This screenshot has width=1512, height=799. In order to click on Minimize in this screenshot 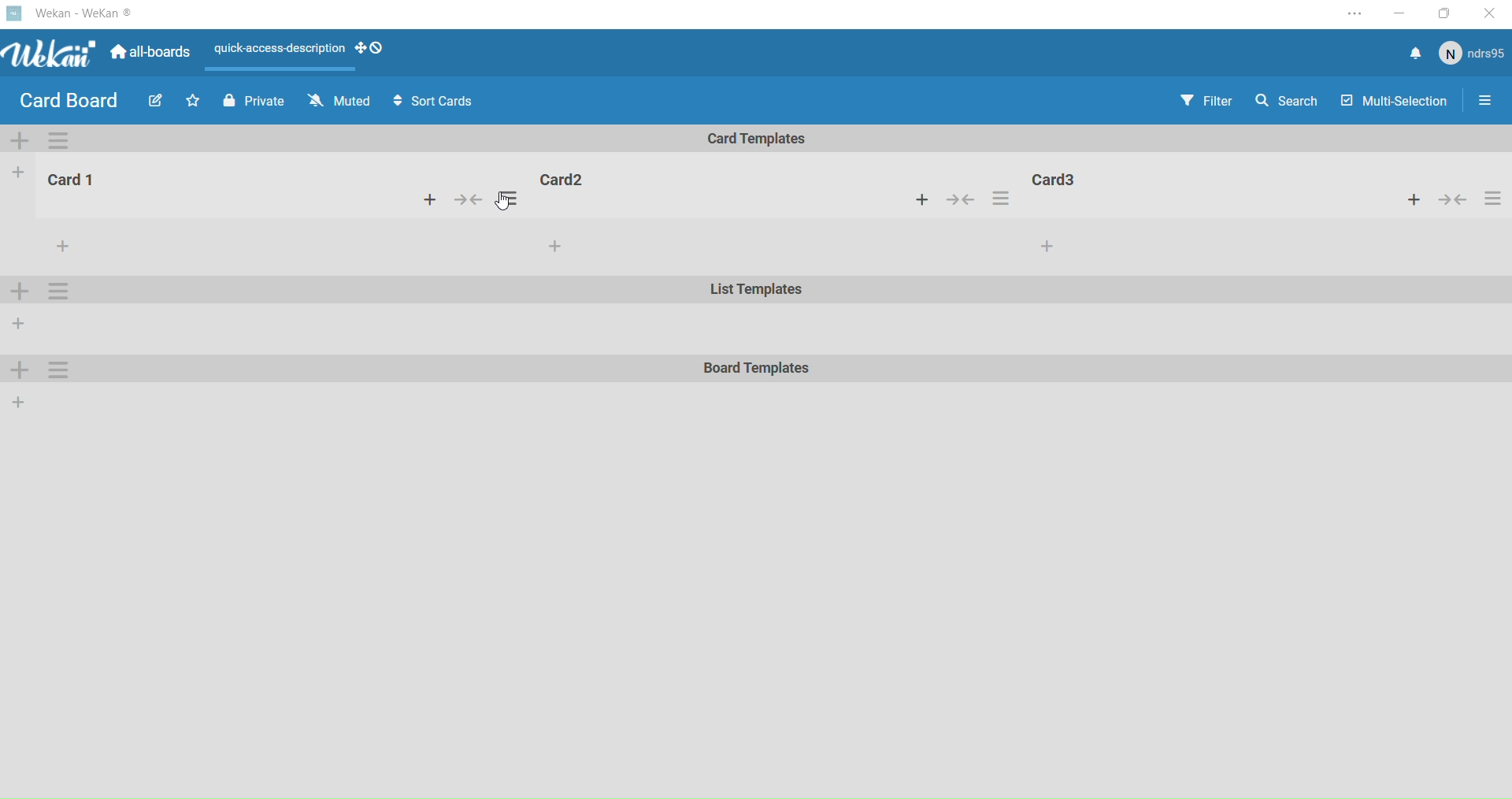, I will do `click(1399, 16)`.